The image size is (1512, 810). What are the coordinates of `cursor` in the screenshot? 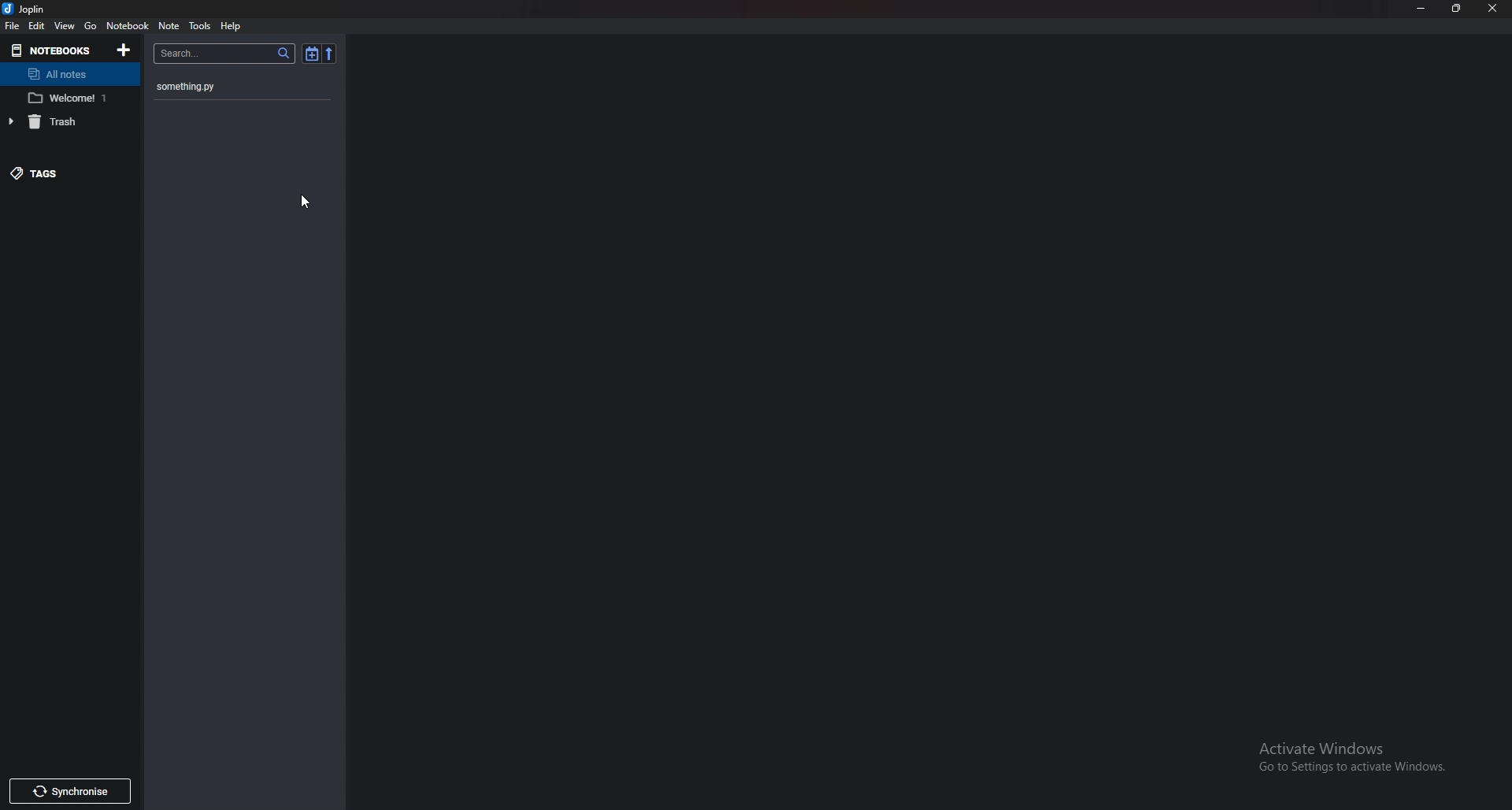 It's located at (307, 204).